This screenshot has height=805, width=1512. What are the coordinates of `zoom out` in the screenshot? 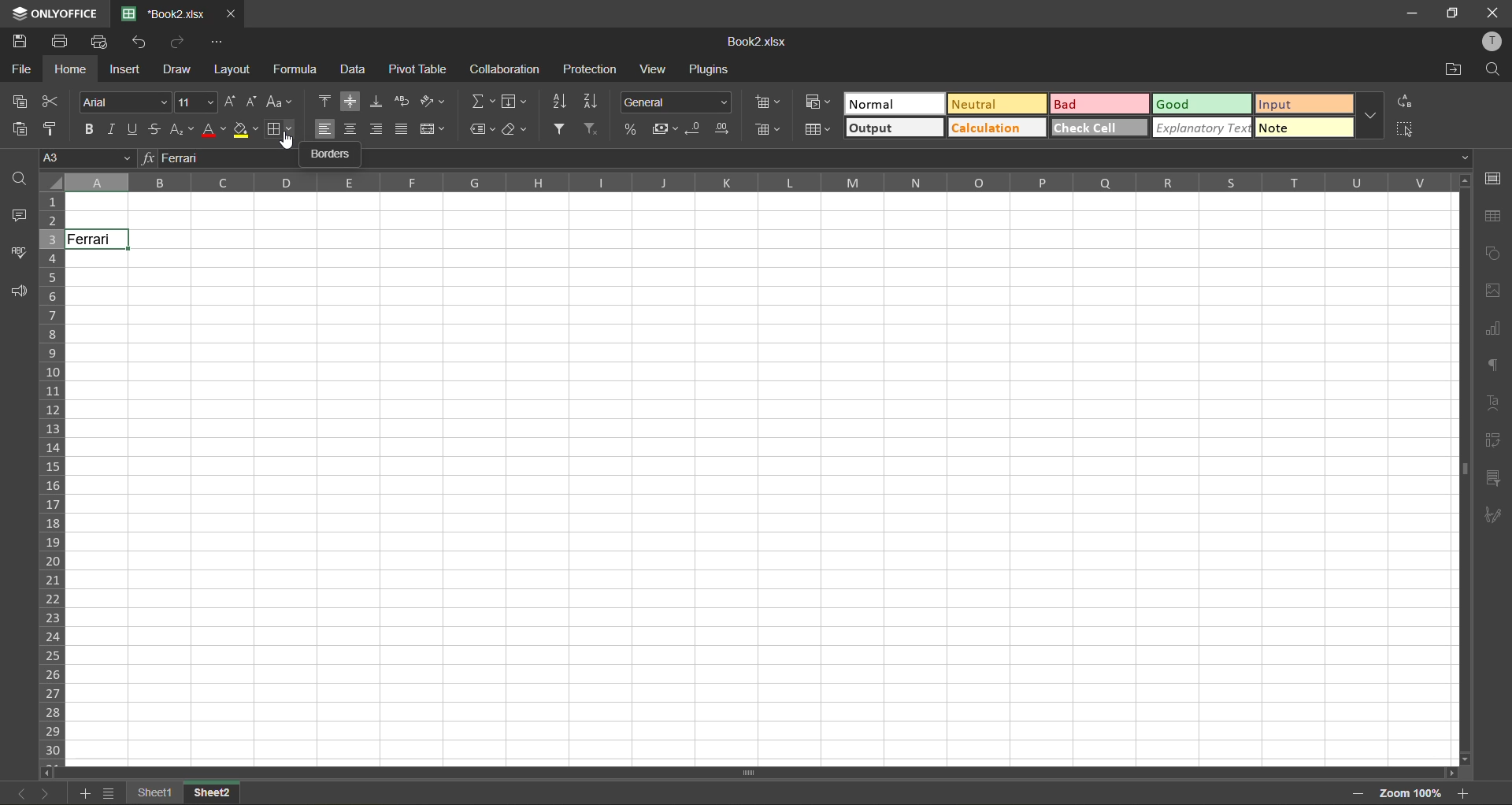 It's located at (1358, 794).